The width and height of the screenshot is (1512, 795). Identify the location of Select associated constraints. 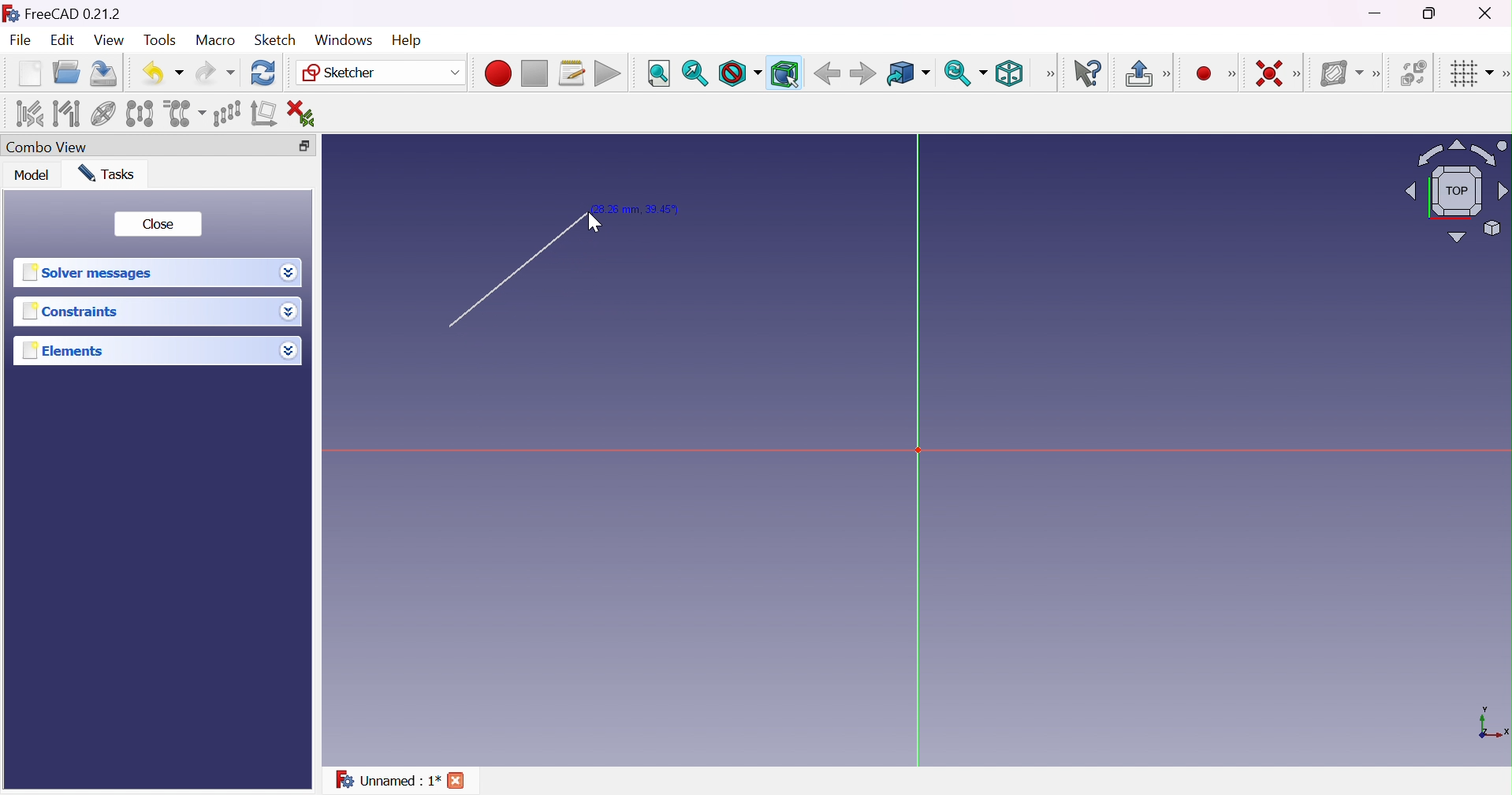
(28, 114).